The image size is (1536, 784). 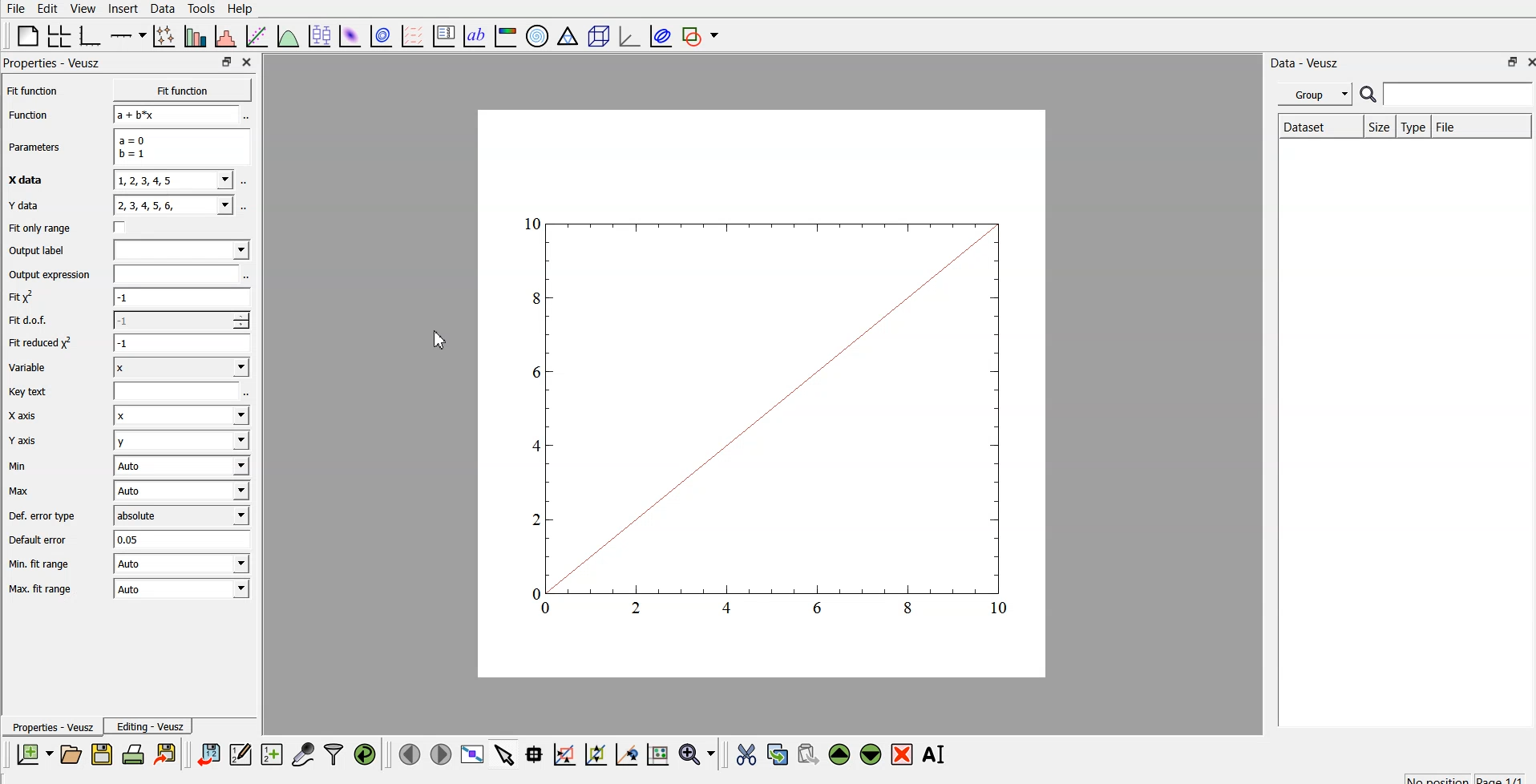 I want to click on cursor, so click(x=437, y=341).